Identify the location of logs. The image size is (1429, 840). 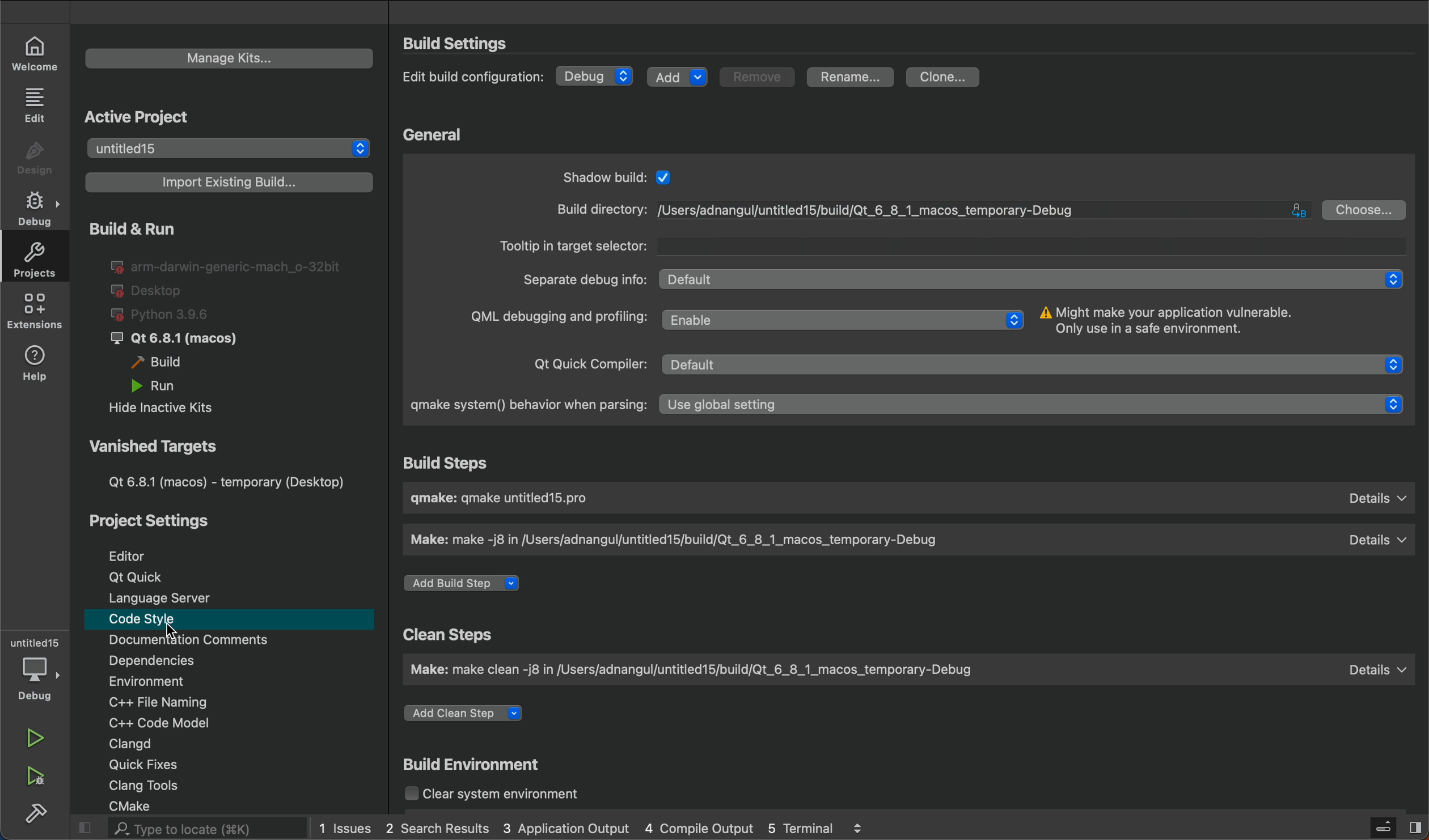
(598, 828).